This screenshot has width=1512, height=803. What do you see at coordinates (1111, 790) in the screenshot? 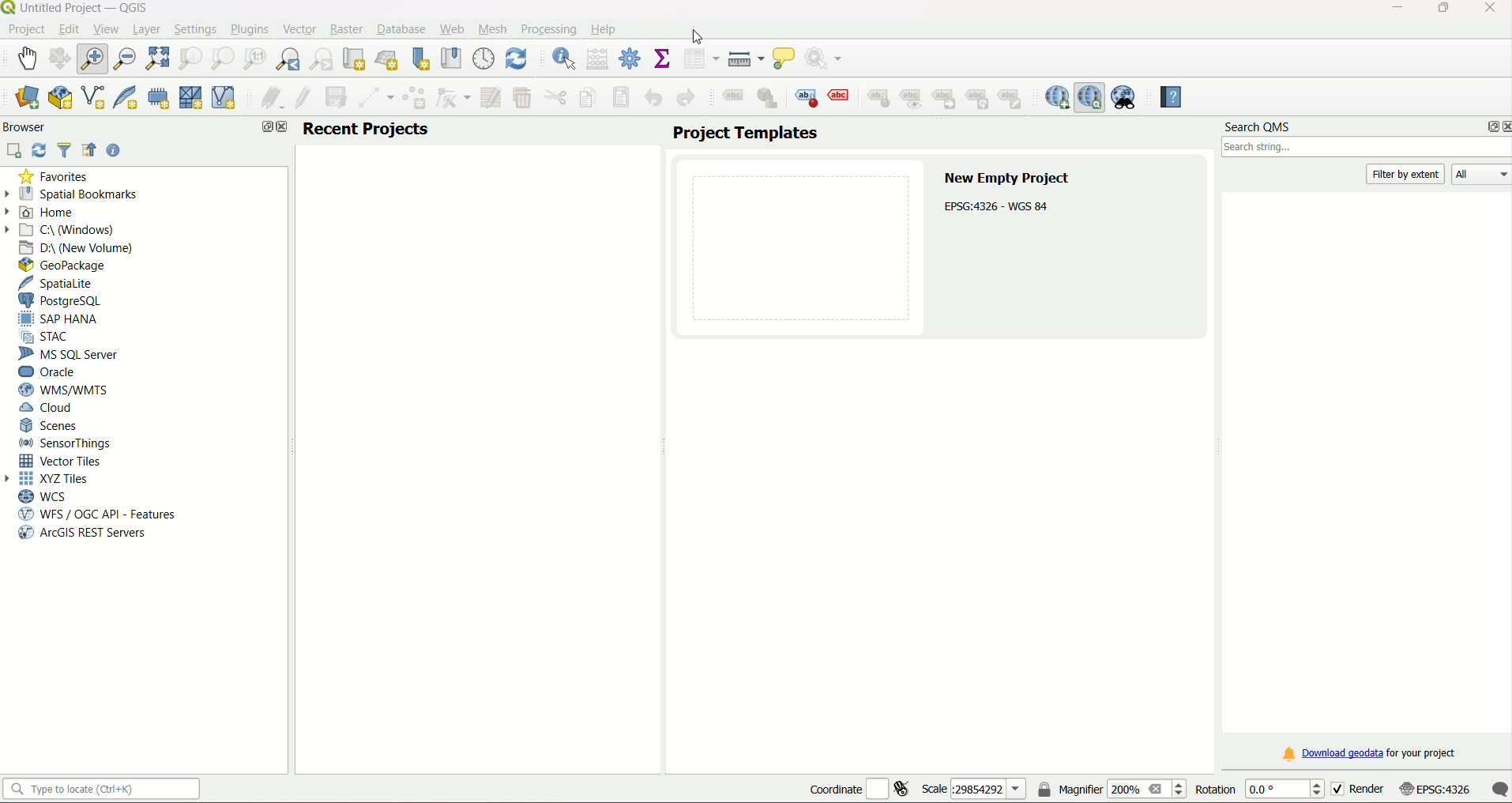
I see `magnifier` at bounding box center [1111, 790].